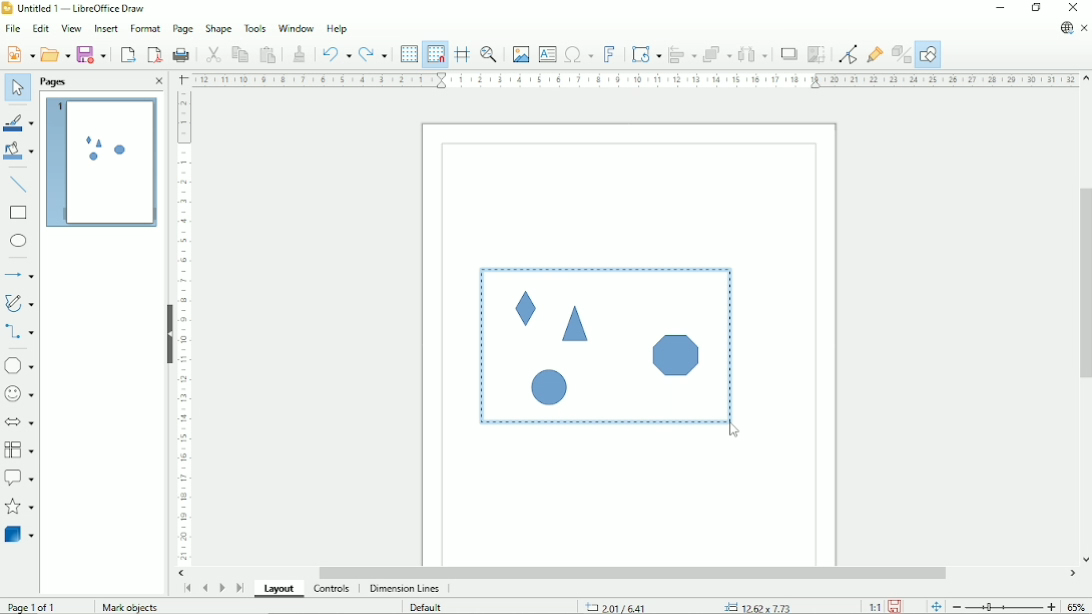  I want to click on Zoom factor, so click(1078, 606).